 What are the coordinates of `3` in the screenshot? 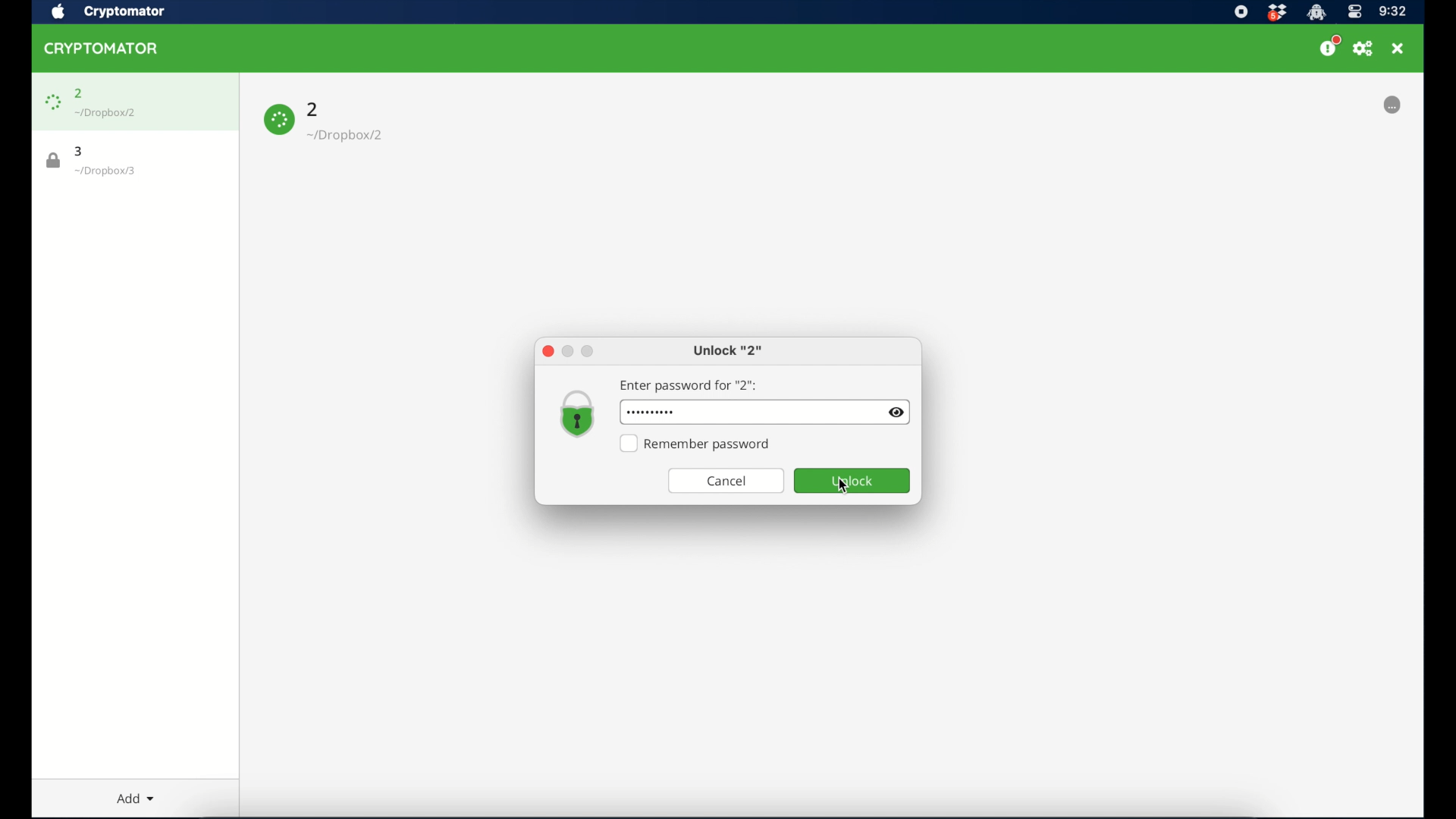 It's located at (77, 151).